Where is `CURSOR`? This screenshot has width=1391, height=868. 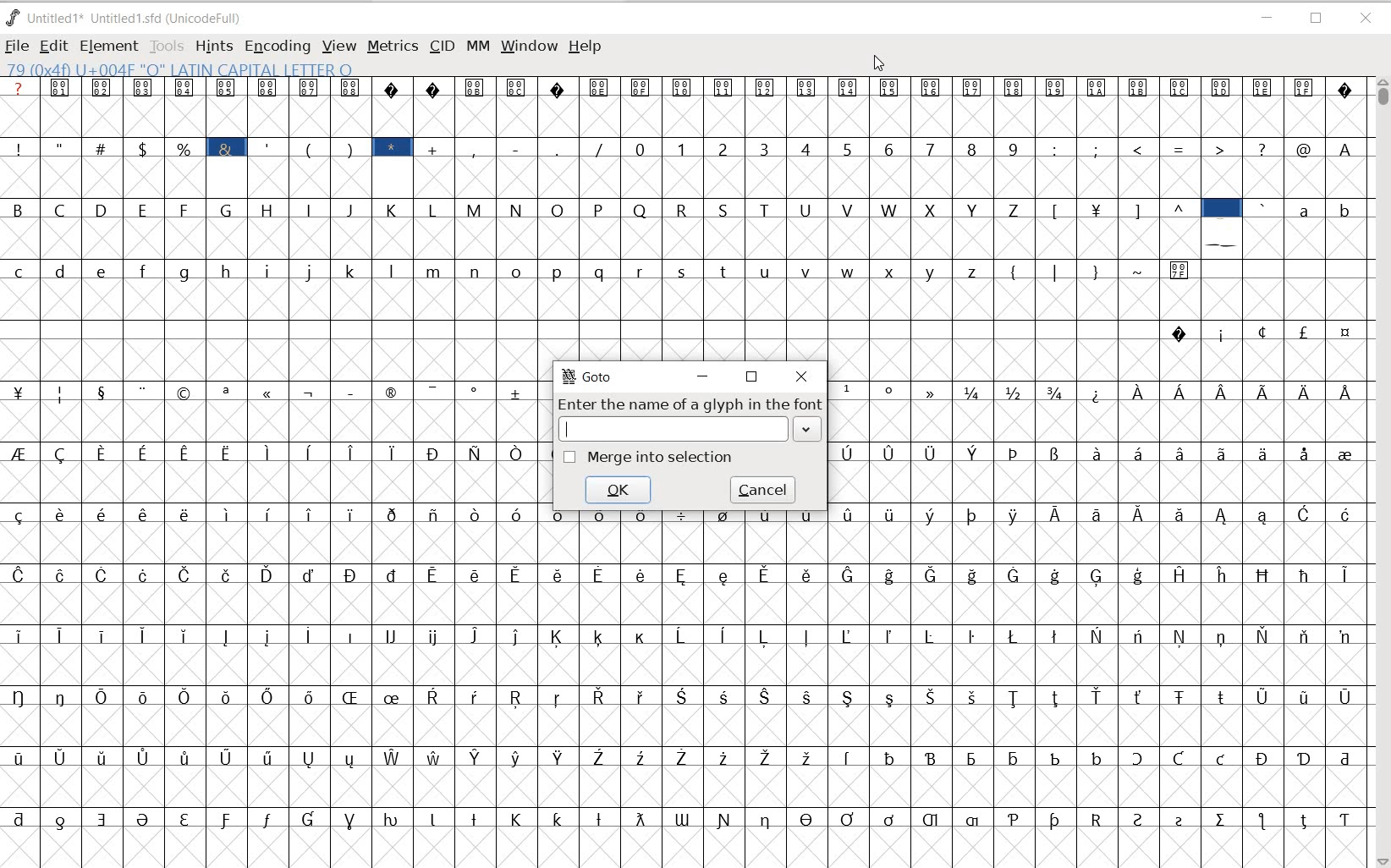 CURSOR is located at coordinates (879, 64).